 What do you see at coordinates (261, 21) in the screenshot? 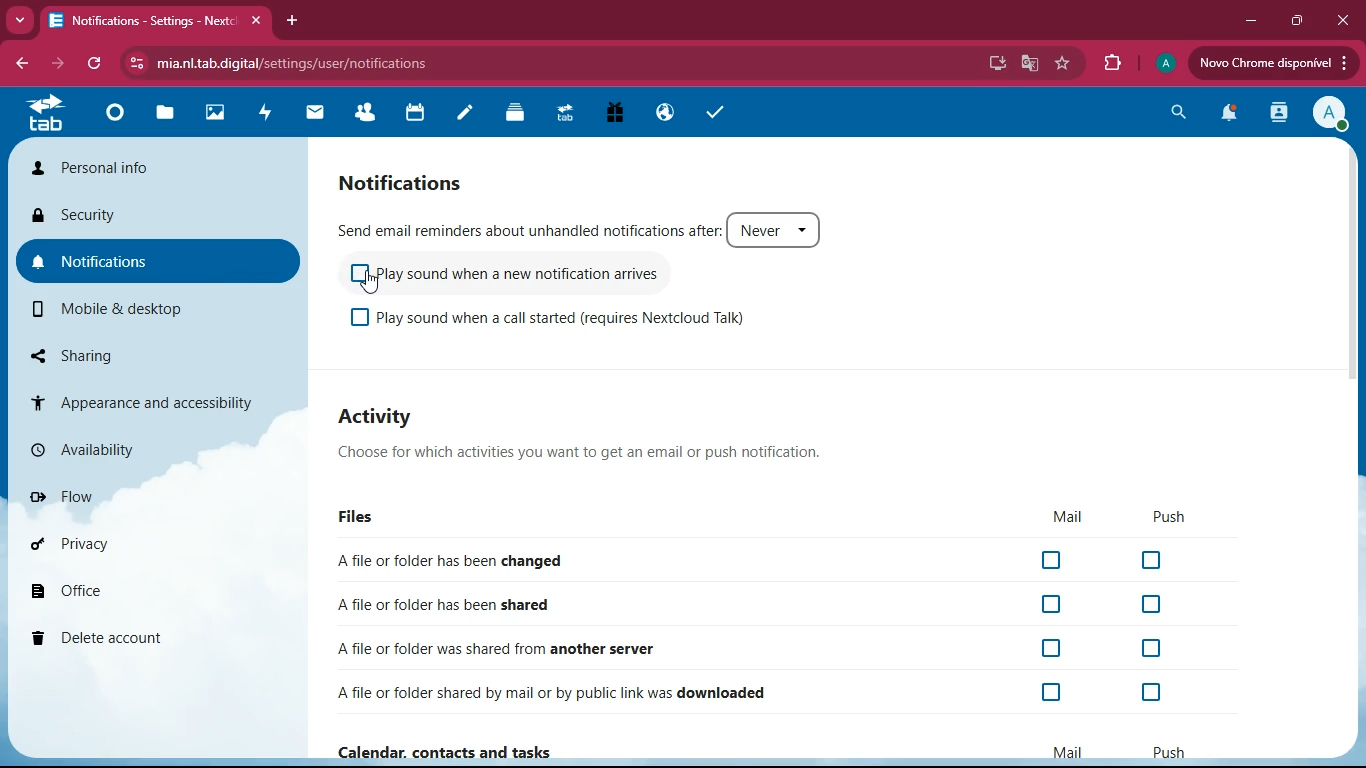
I see `cross` at bounding box center [261, 21].